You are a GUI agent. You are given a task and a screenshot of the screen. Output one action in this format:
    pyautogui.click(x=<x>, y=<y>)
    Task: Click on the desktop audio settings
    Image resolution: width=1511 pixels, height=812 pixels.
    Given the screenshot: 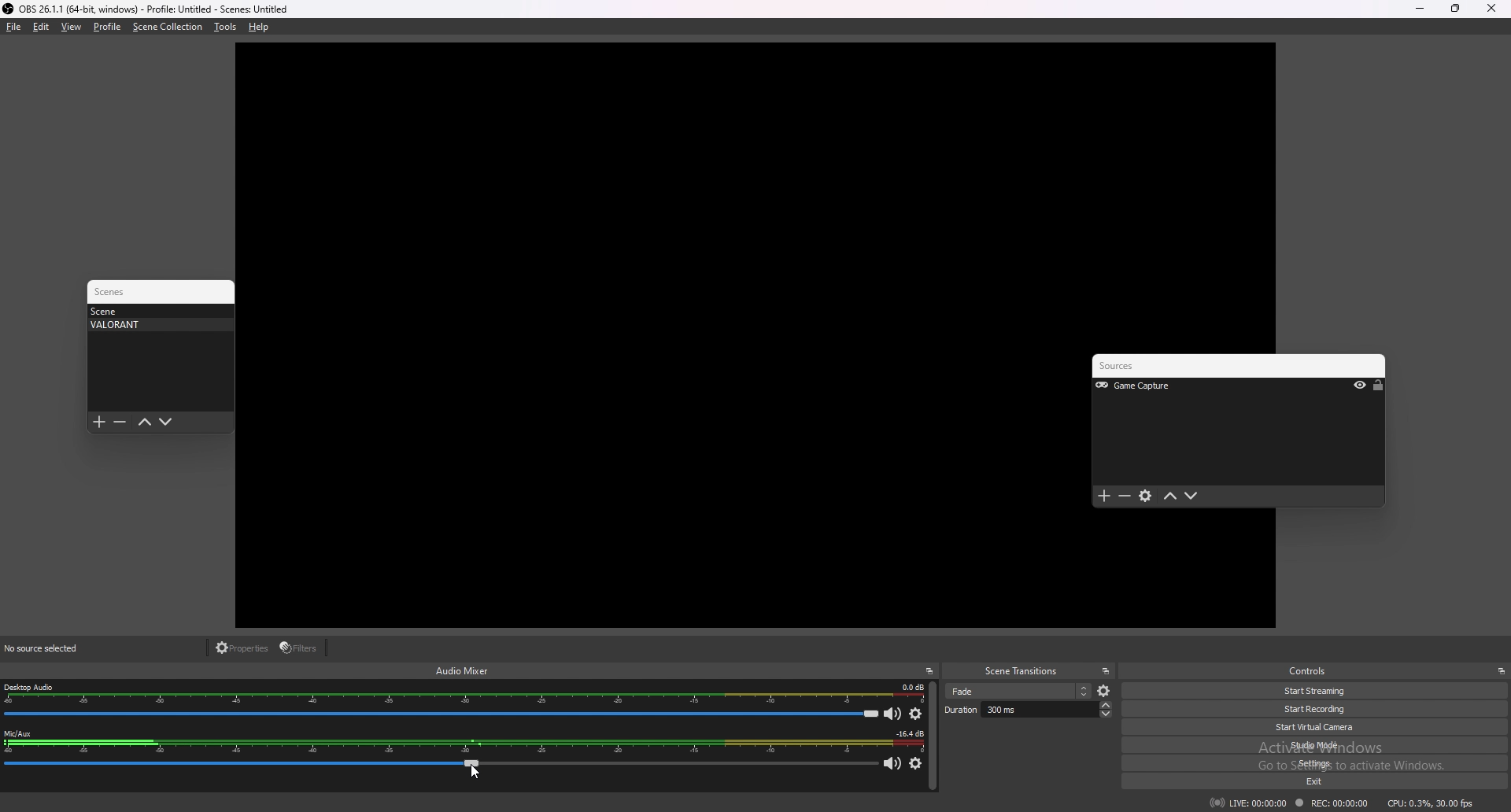 What is the action you would take?
    pyautogui.click(x=916, y=714)
    